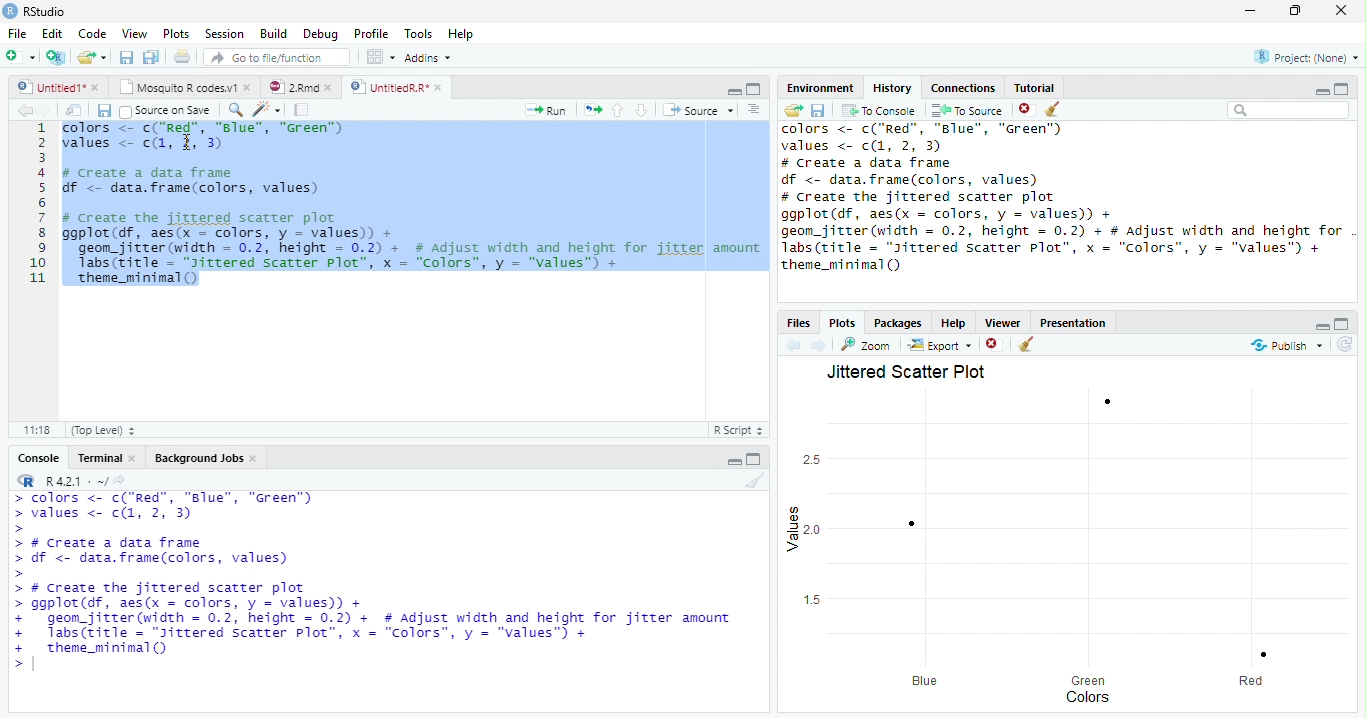 This screenshot has width=1366, height=718. I want to click on UntitledR.R*, so click(388, 88).